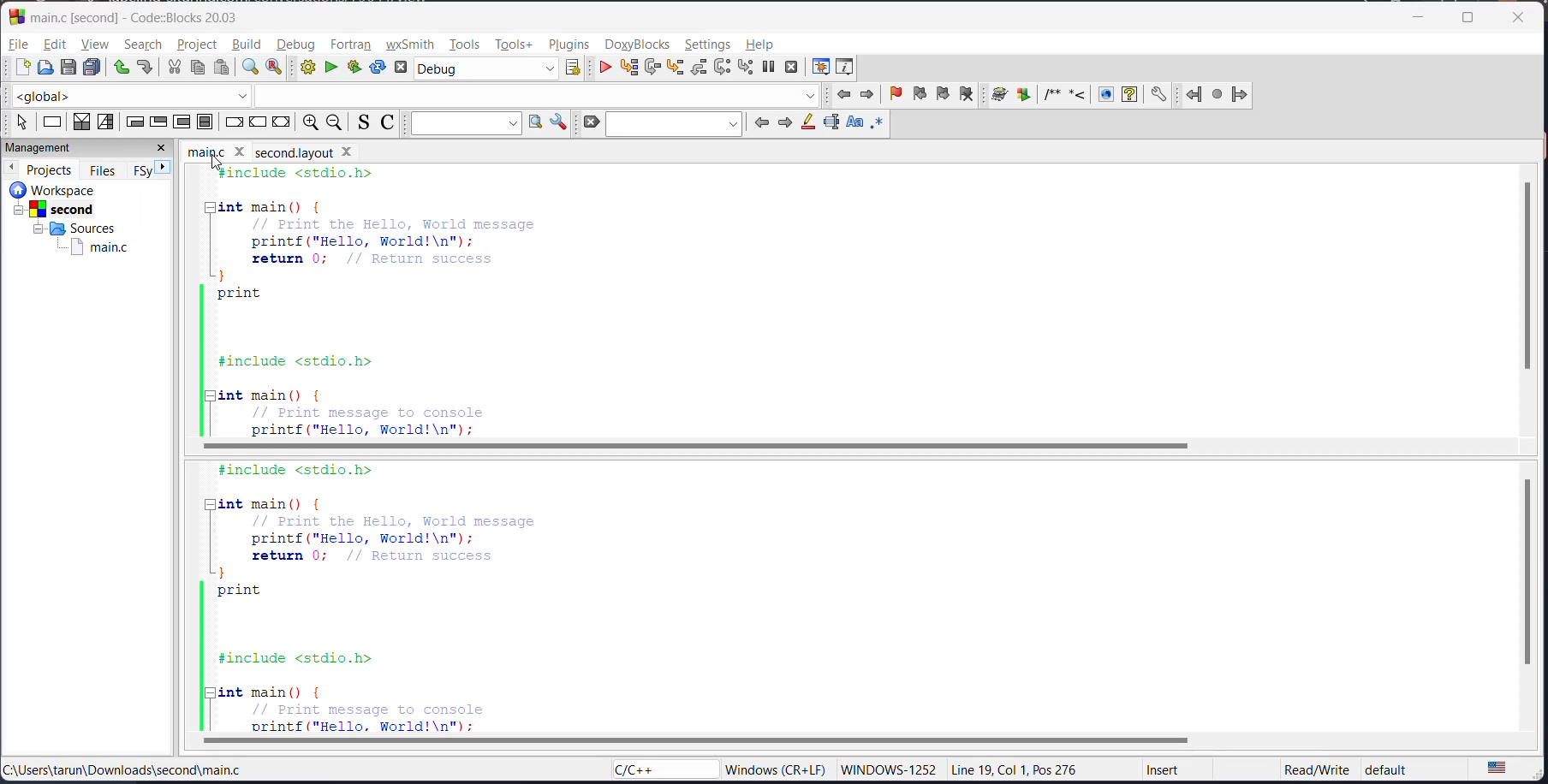 The width and height of the screenshot is (1548, 784). I want to click on help, so click(760, 43).